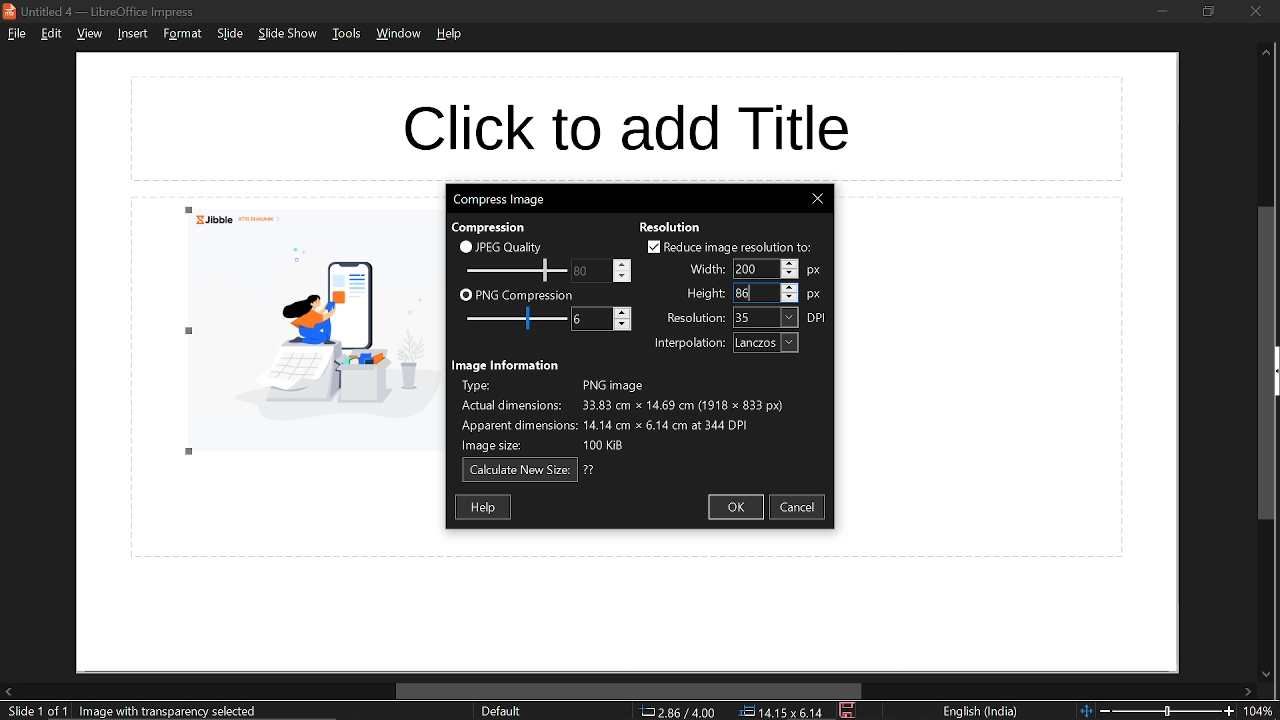 The width and height of the screenshot is (1280, 720). What do you see at coordinates (401, 34) in the screenshot?
I see `window` at bounding box center [401, 34].